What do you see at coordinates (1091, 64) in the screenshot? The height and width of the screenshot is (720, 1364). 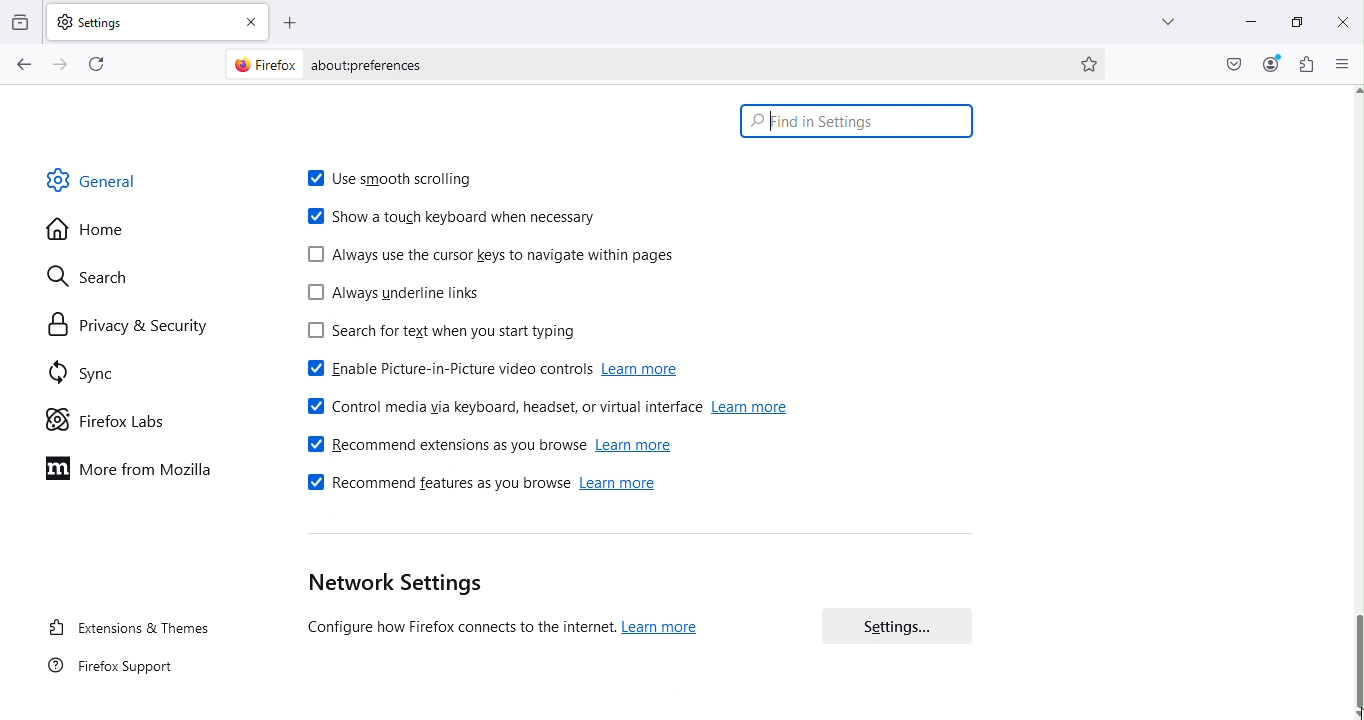 I see `Bookmark` at bounding box center [1091, 64].